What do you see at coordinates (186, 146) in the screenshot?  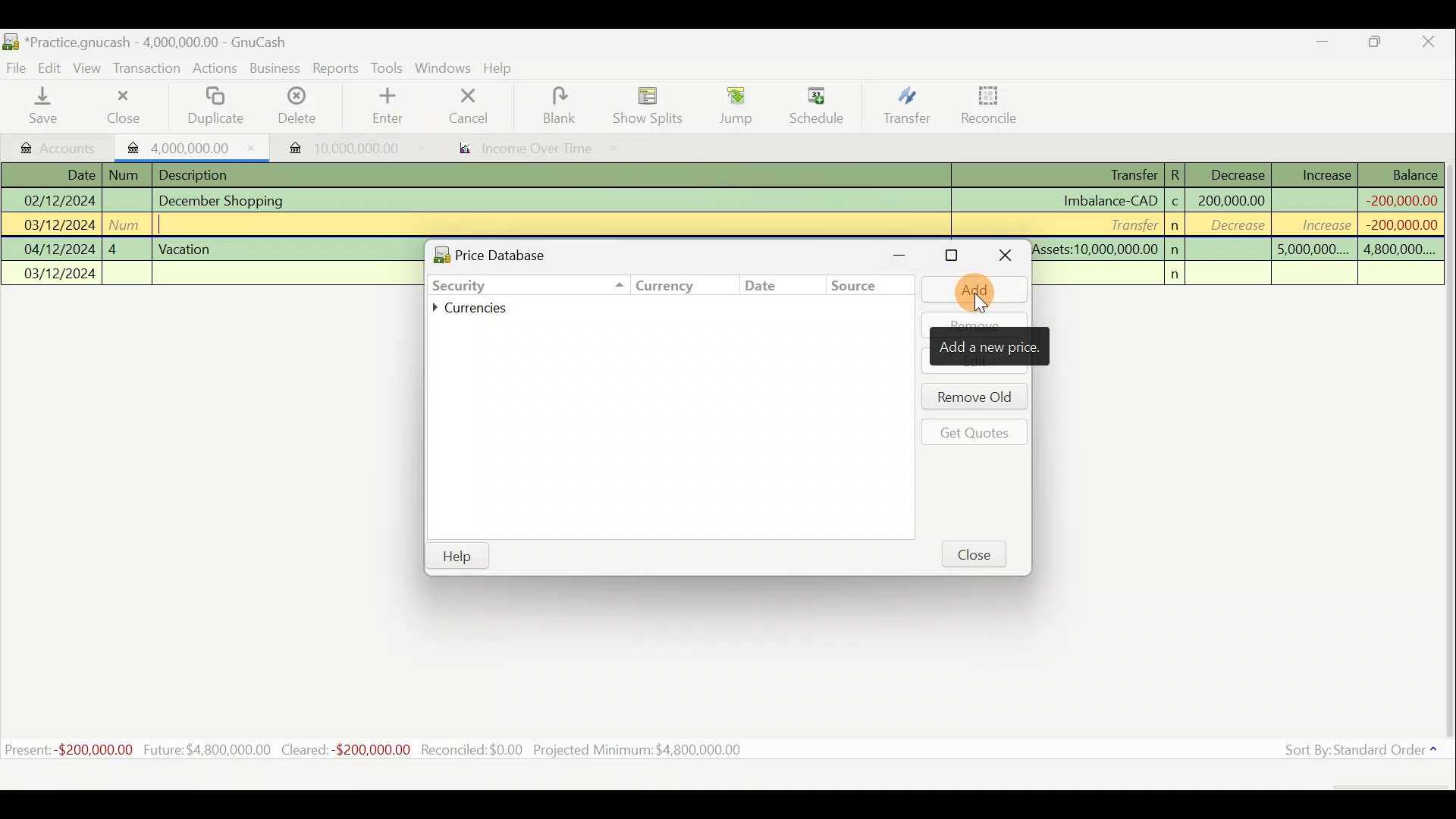 I see `Imported transaction` at bounding box center [186, 146].